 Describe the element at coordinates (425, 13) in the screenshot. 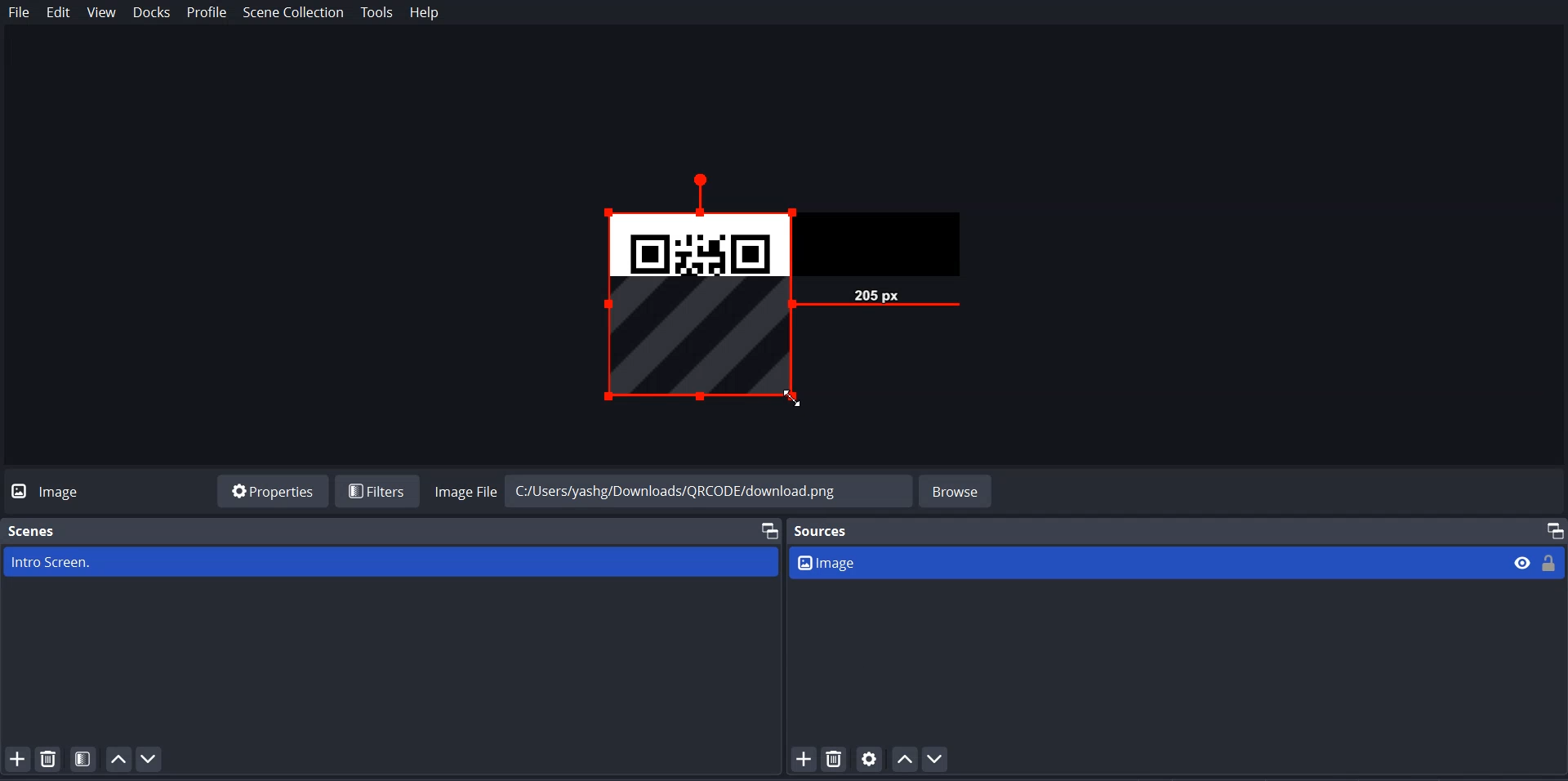

I see `Help` at that location.